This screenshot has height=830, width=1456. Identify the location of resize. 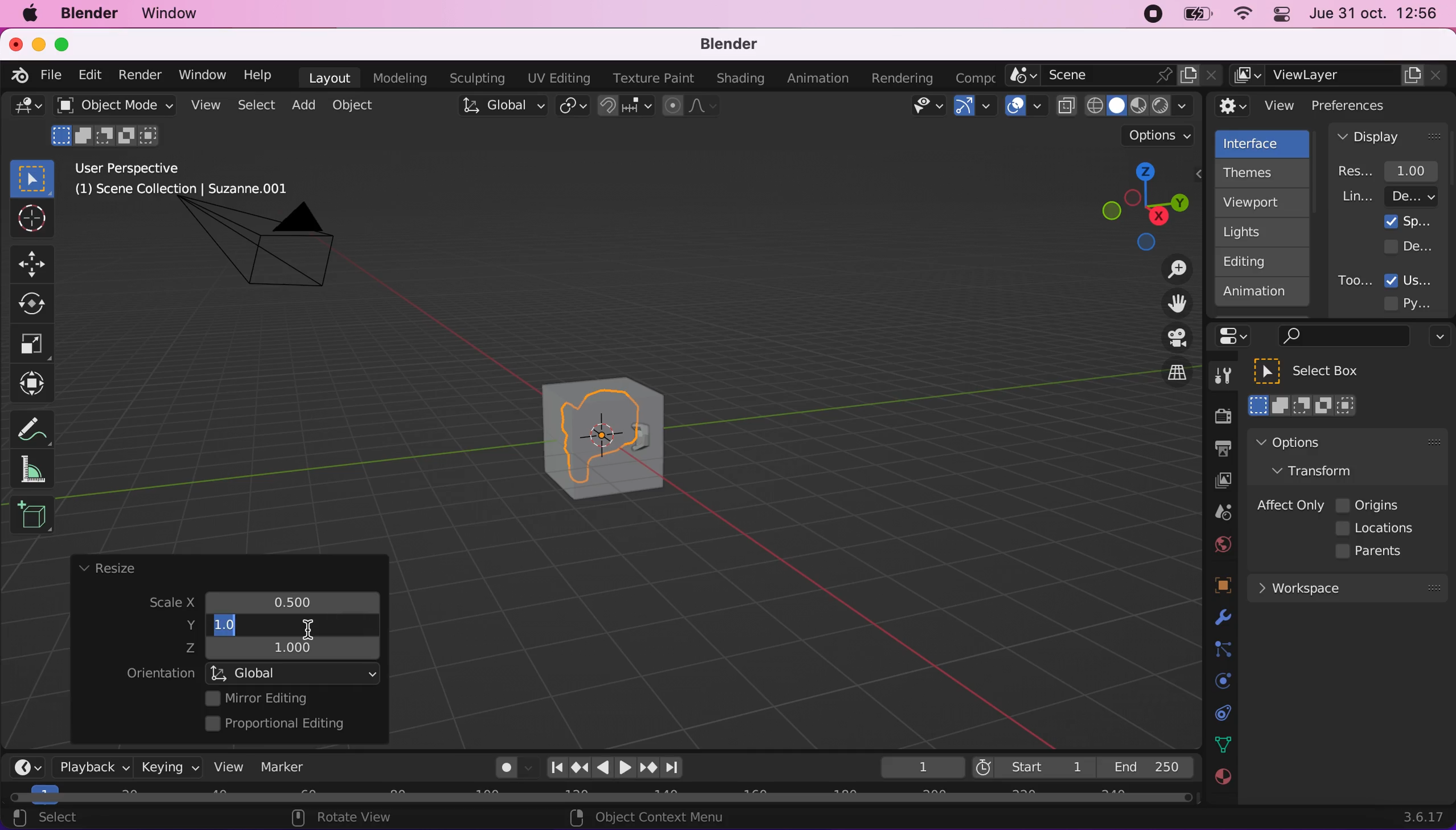
(107, 569).